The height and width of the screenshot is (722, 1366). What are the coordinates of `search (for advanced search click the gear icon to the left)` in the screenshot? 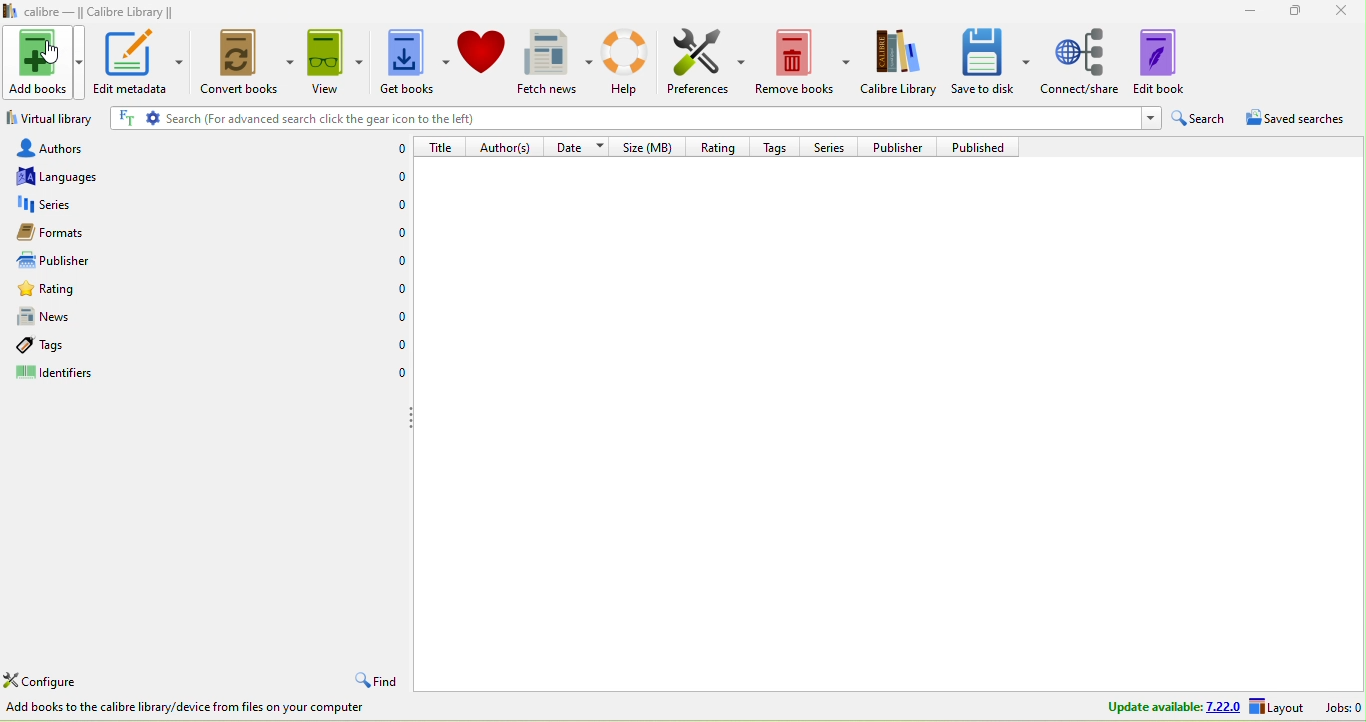 It's located at (620, 118).